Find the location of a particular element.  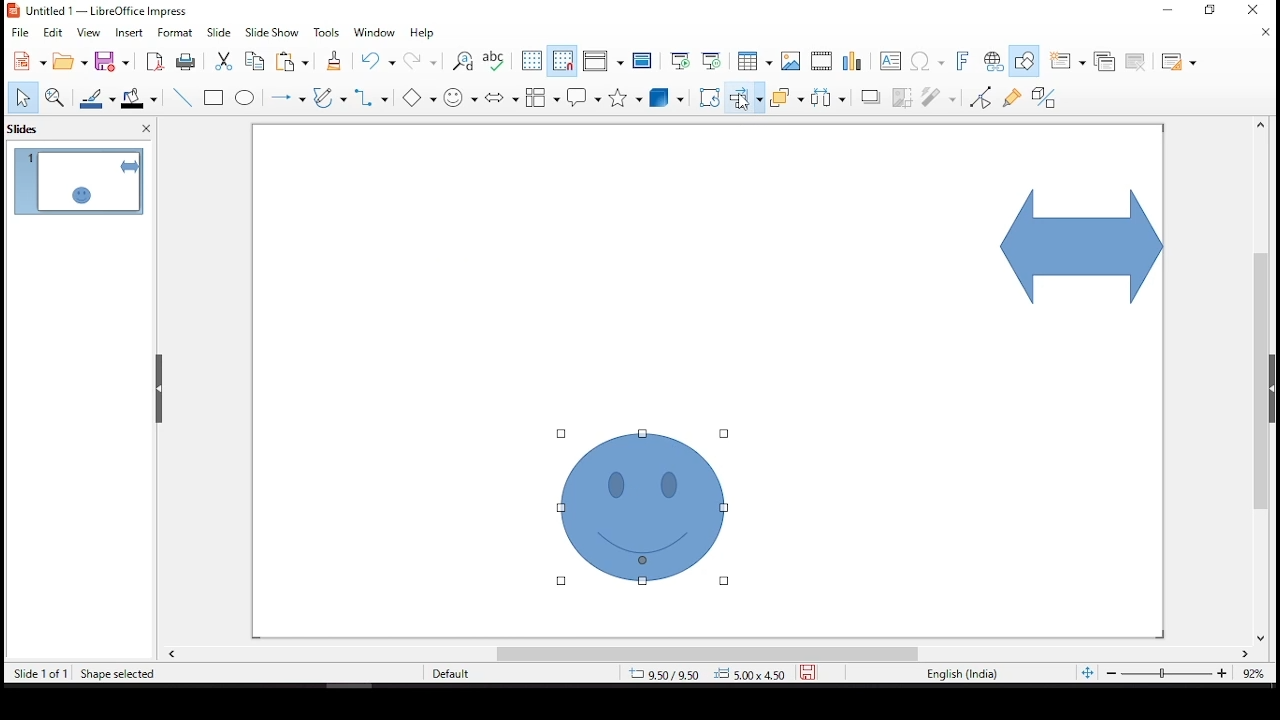

copy is located at coordinates (256, 62).